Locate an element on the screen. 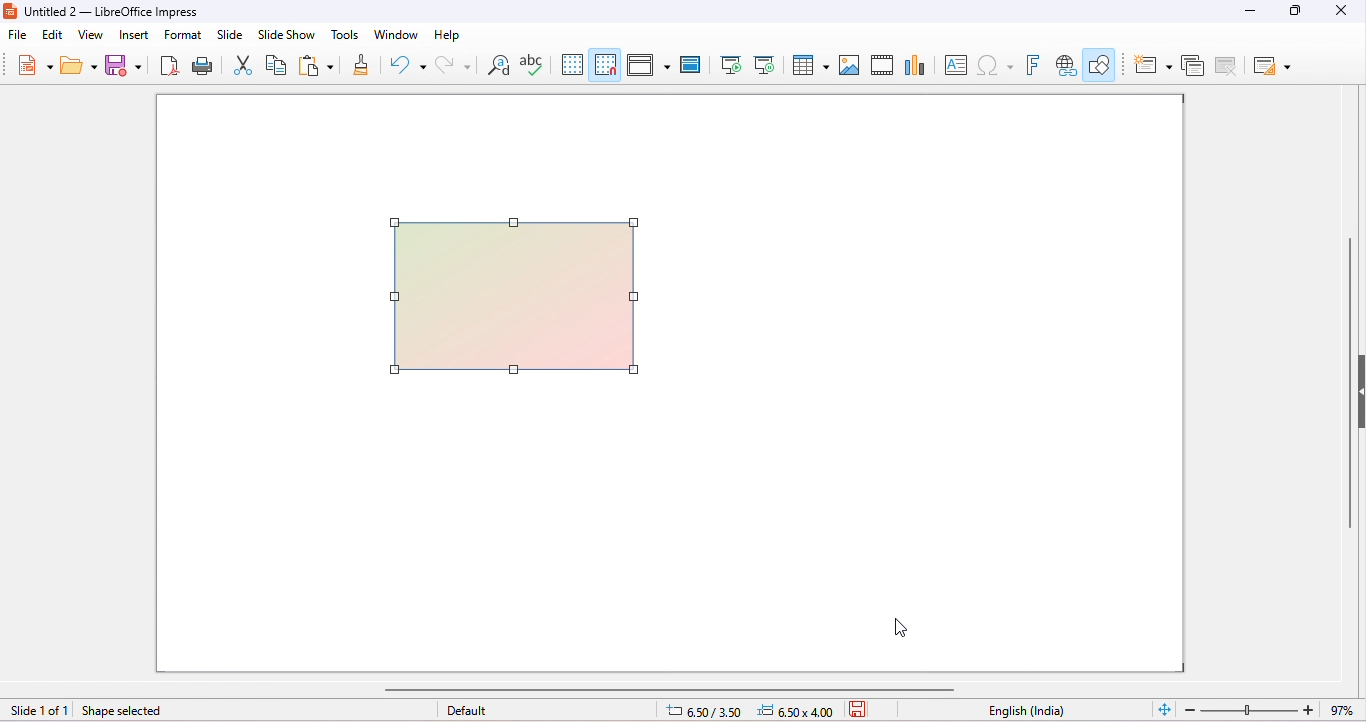  fit slide to current window is located at coordinates (1165, 708).